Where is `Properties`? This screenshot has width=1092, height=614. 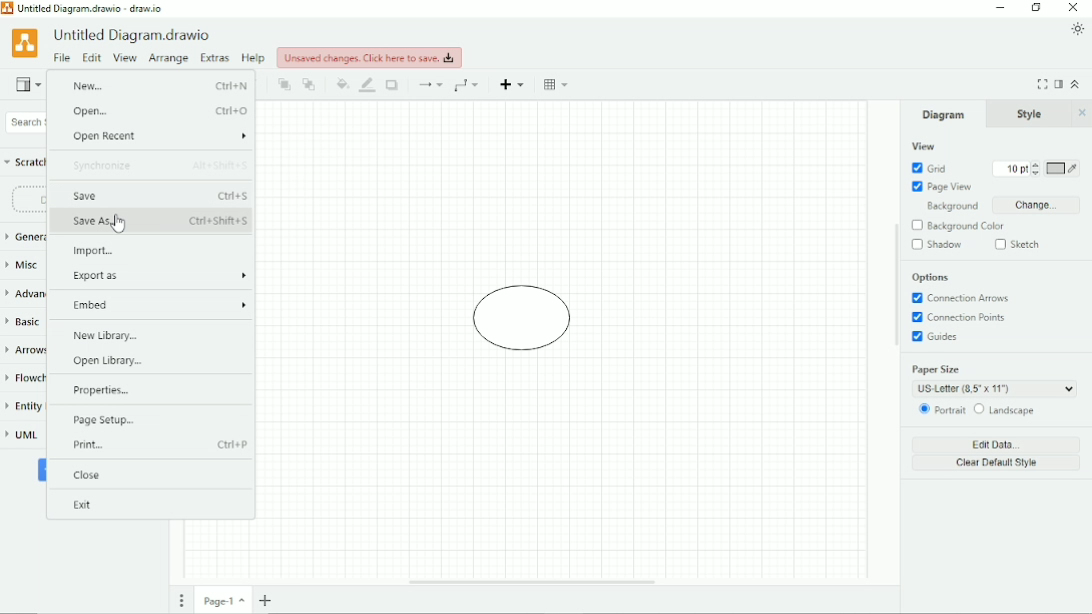
Properties is located at coordinates (109, 392).